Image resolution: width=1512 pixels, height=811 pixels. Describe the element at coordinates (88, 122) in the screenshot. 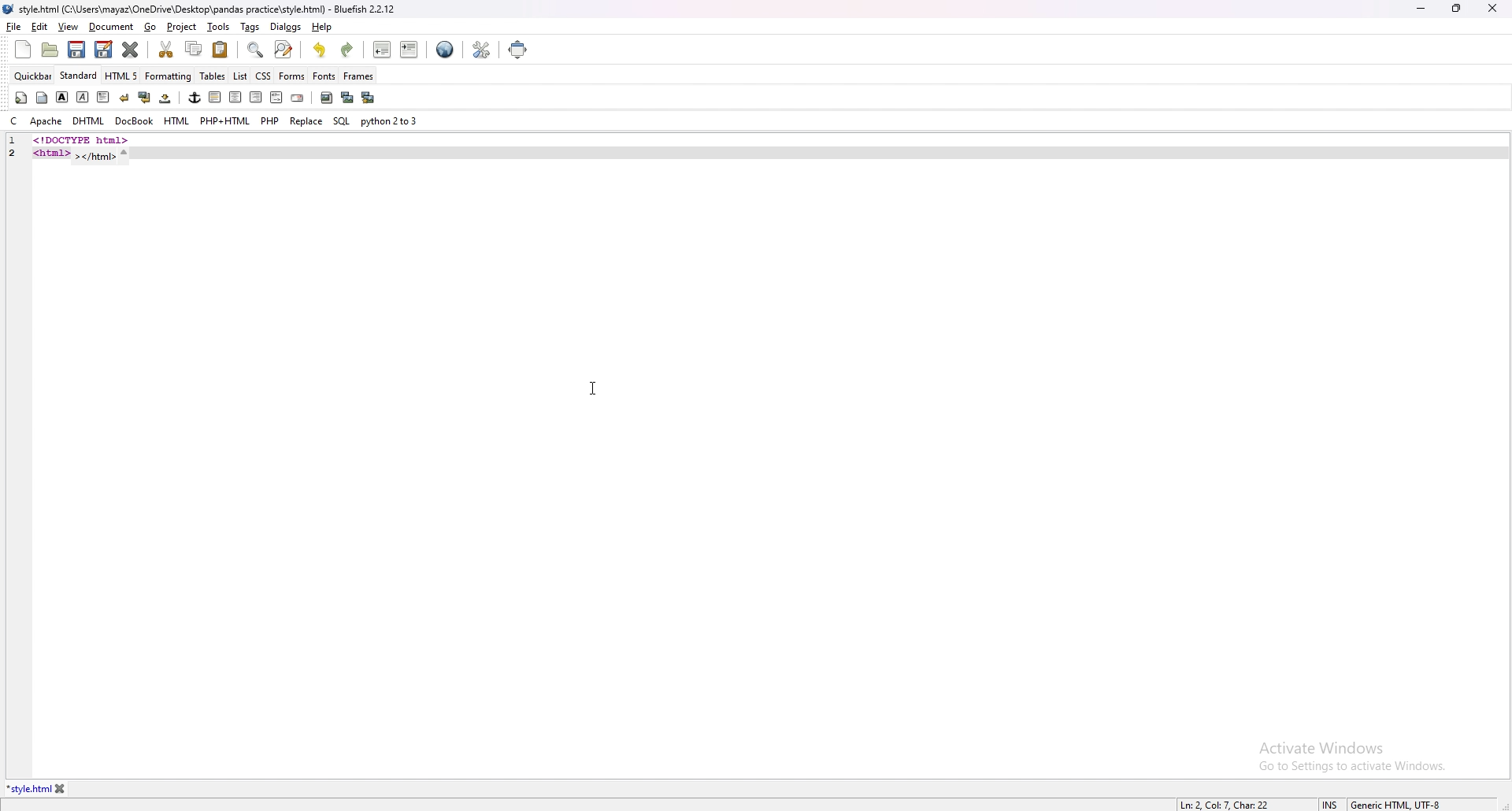

I see `dhtml` at that location.